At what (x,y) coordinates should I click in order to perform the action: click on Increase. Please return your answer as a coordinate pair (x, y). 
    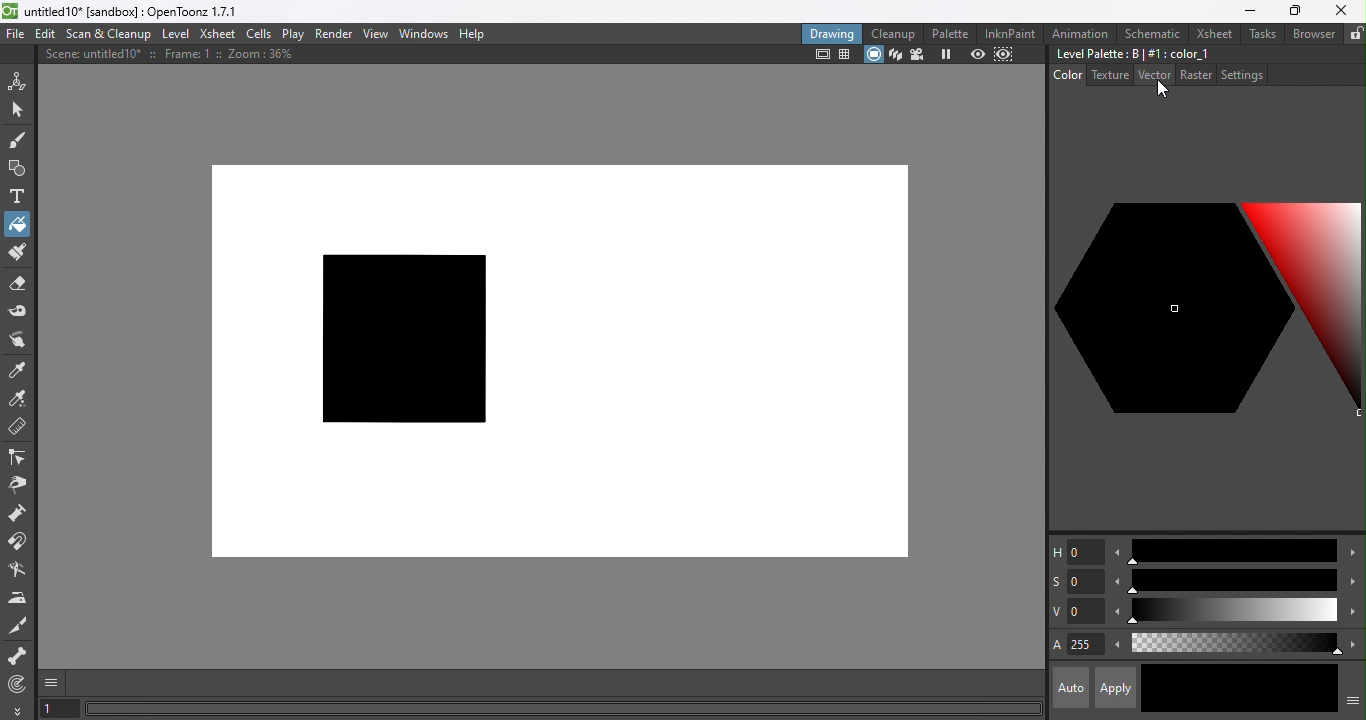
    Looking at the image, I should click on (1351, 580).